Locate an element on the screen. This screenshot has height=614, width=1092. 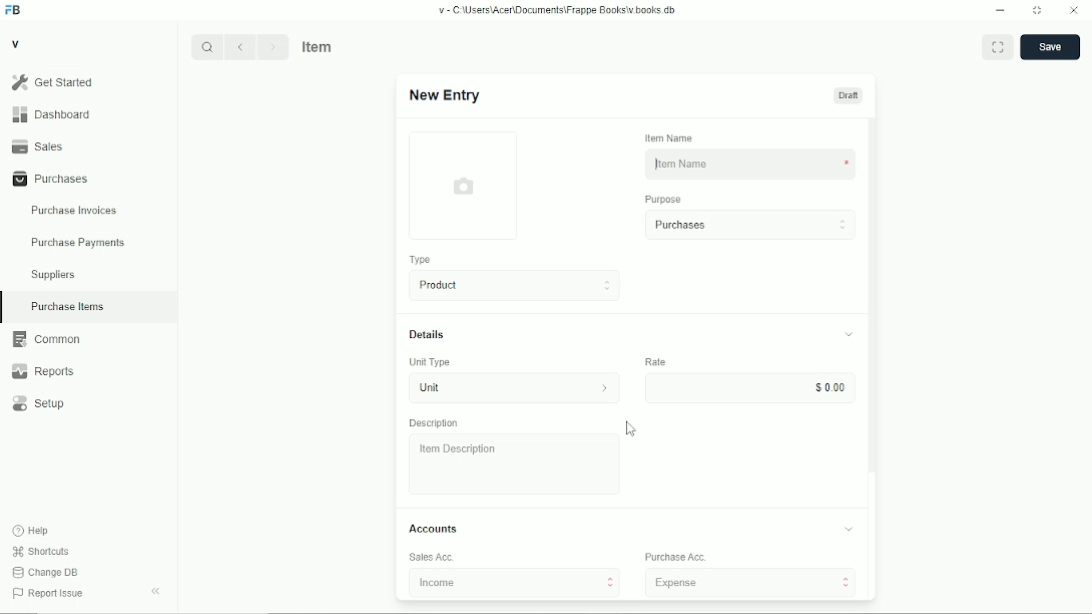
toggle collapse/expand is located at coordinates (850, 334).